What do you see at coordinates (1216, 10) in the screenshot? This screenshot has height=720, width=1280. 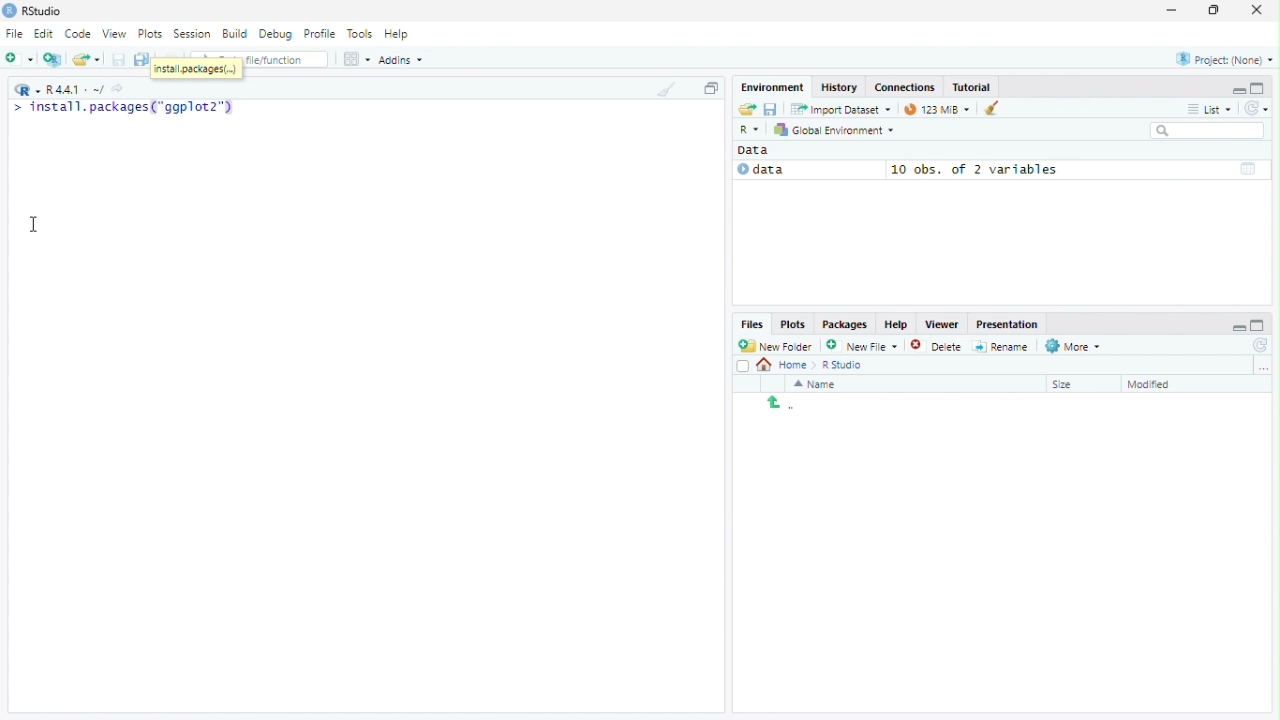 I see `Maximize` at bounding box center [1216, 10].